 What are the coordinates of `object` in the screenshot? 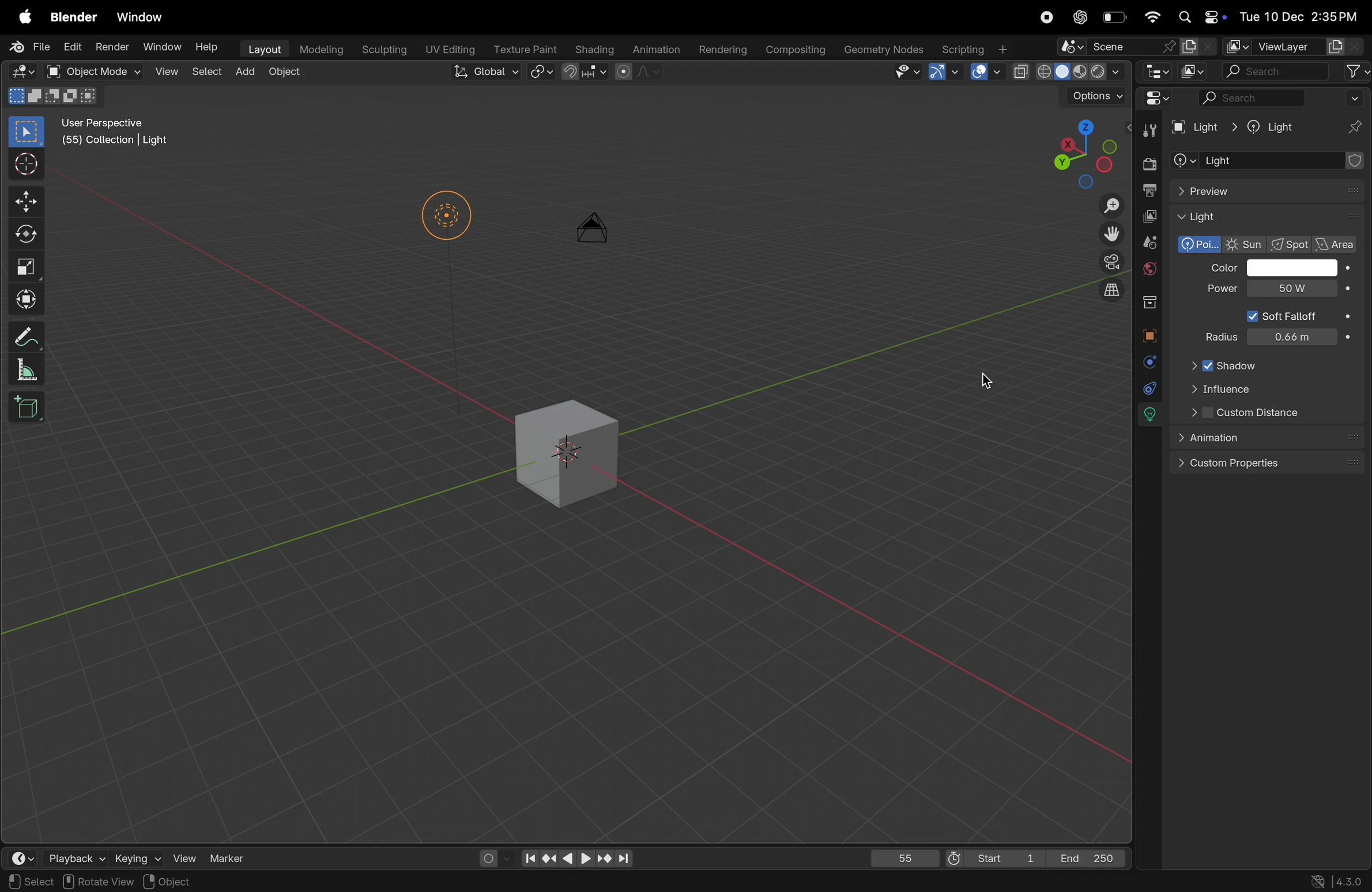 It's located at (291, 77).